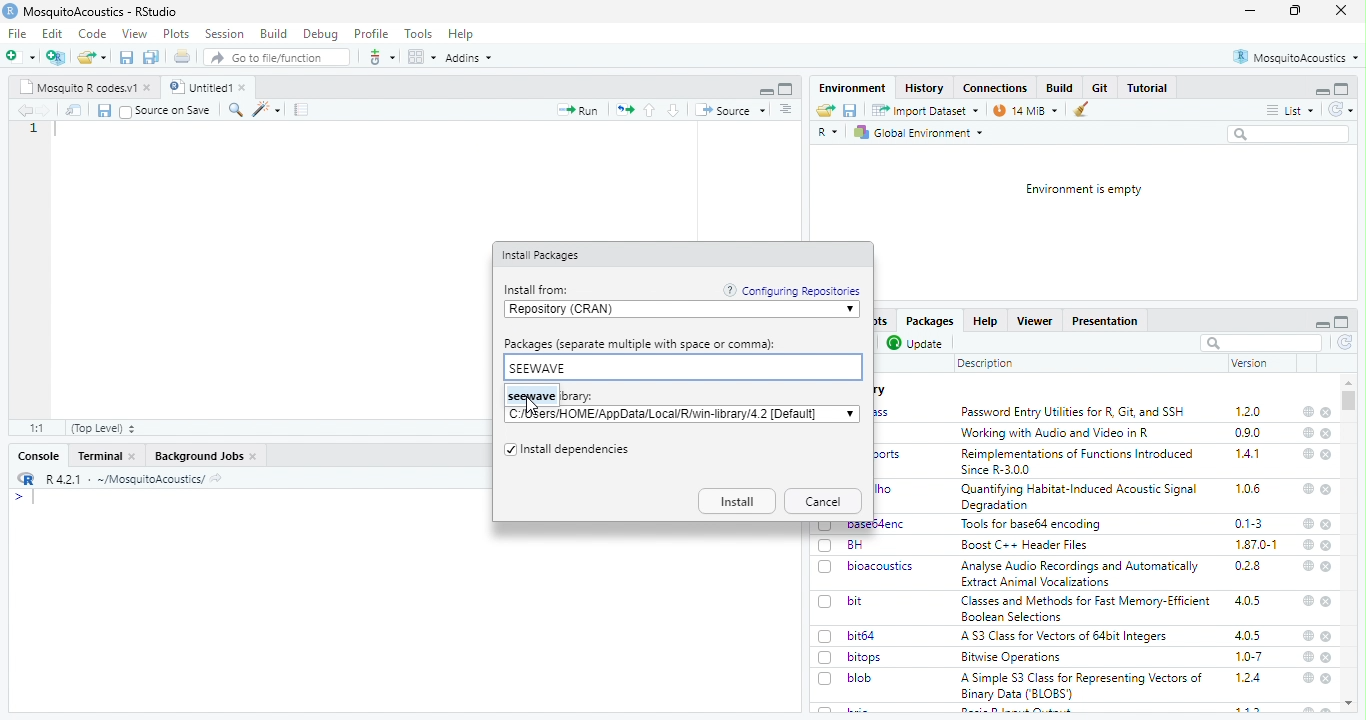 Image resolution: width=1366 pixels, height=720 pixels. What do you see at coordinates (768, 92) in the screenshot?
I see `minimise` at bounding box center [768, 92].